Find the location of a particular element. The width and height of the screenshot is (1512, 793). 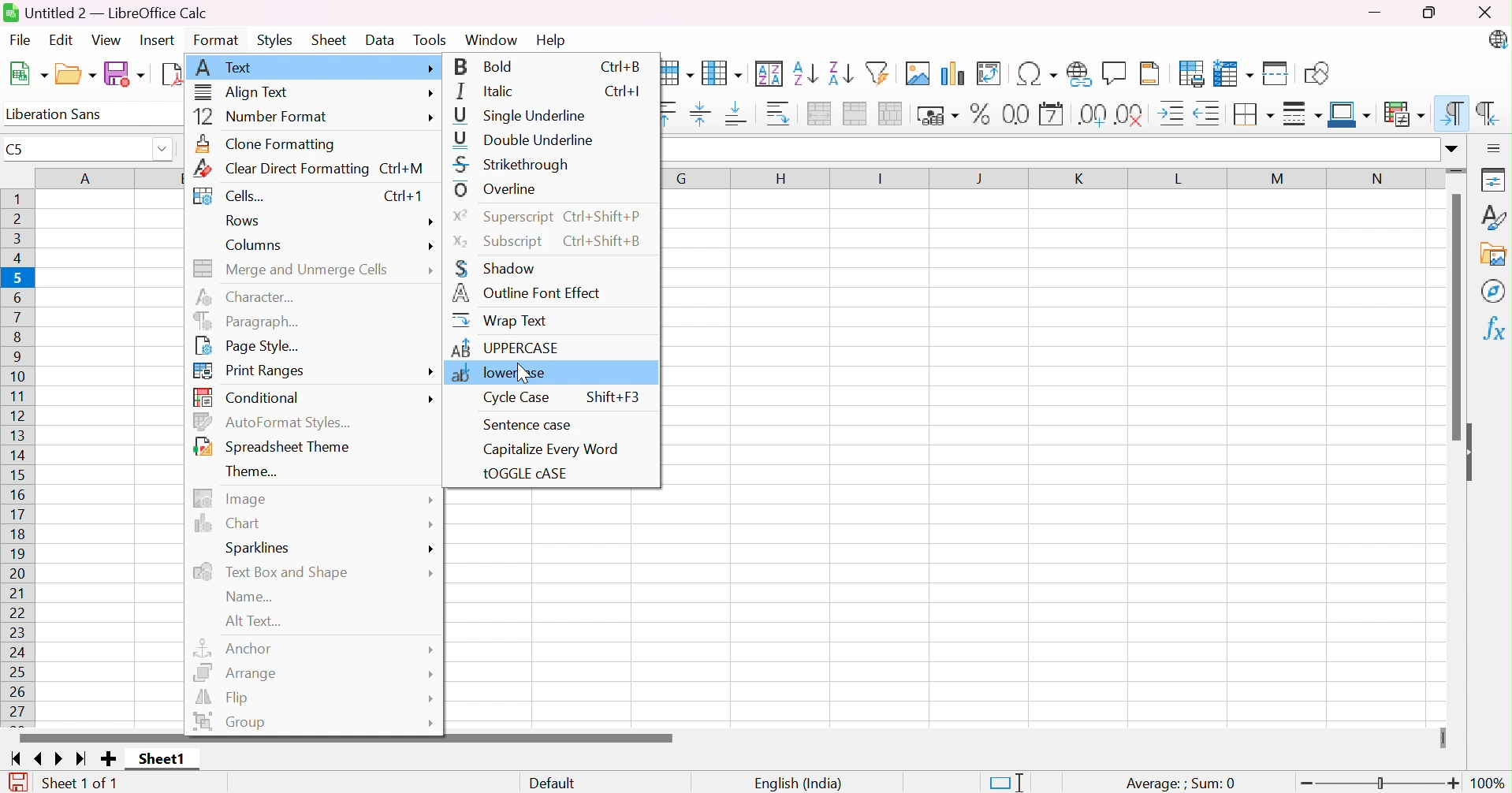

Sort Ascending is located at coordinates (807, 73).